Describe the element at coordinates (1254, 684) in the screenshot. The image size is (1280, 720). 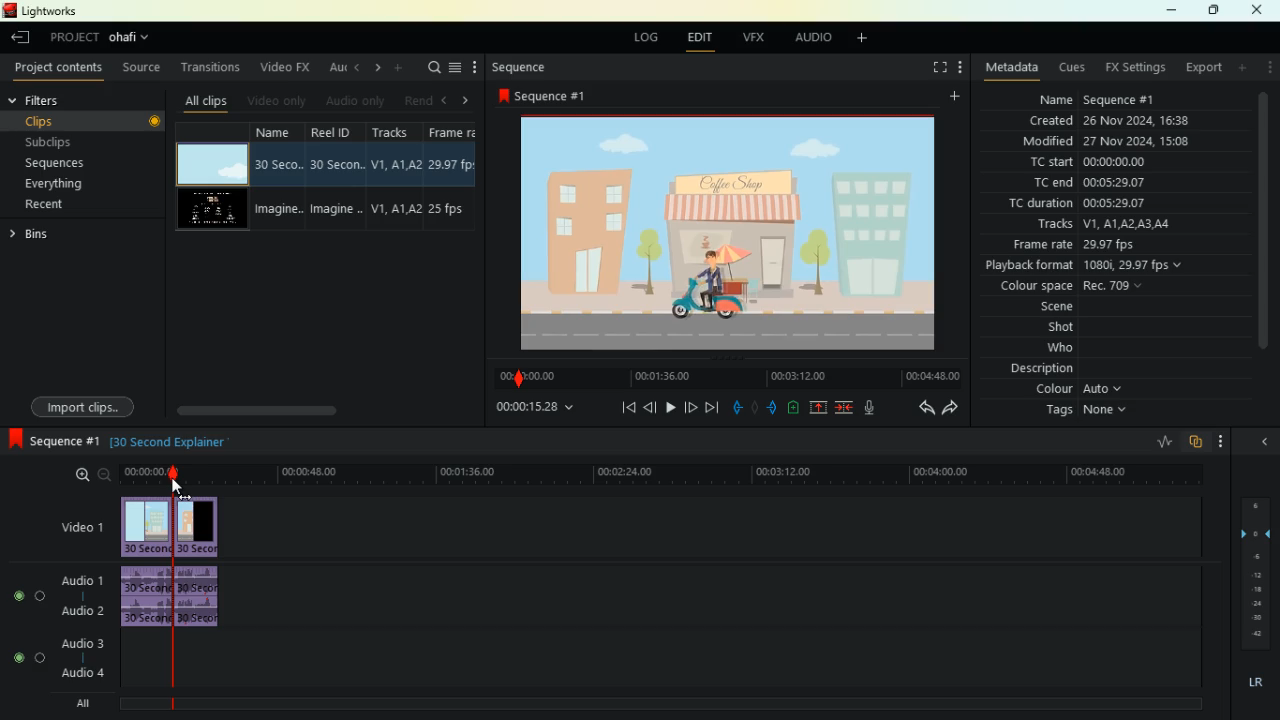
I see `lr` at that location.